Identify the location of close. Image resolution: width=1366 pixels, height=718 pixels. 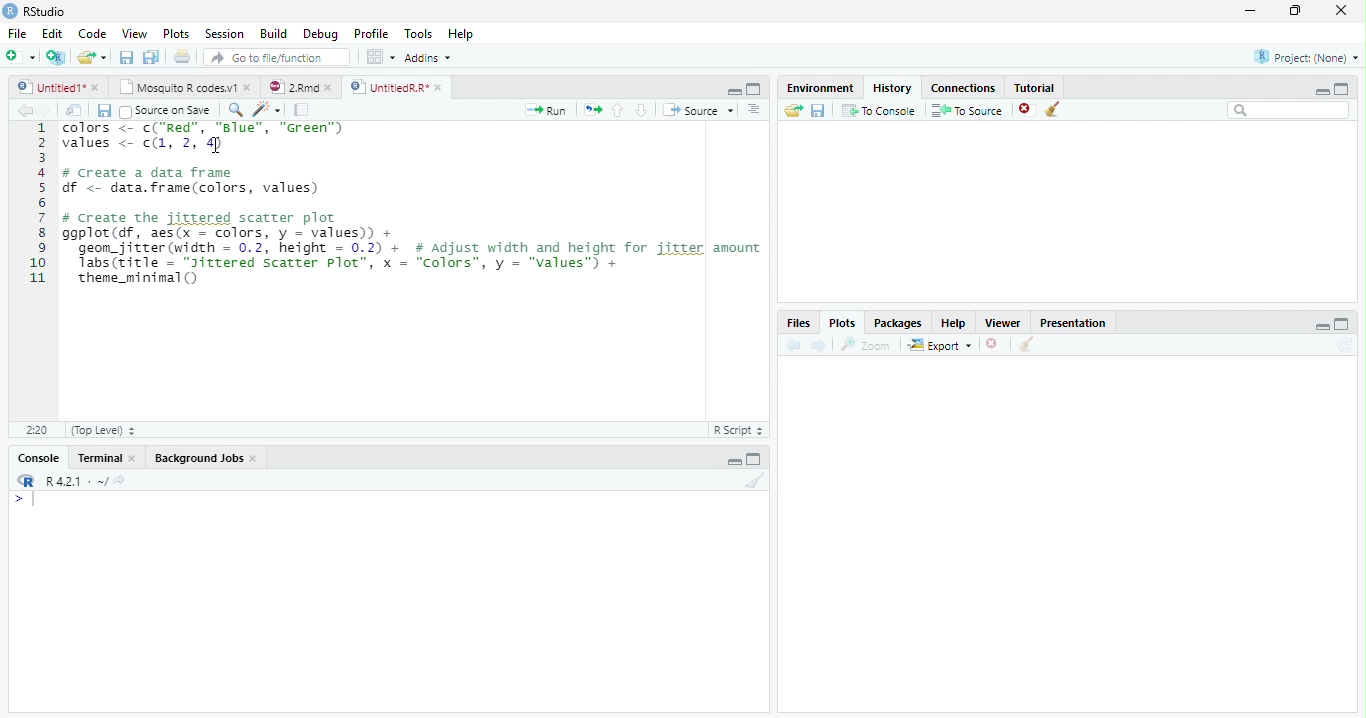
(247, 87).